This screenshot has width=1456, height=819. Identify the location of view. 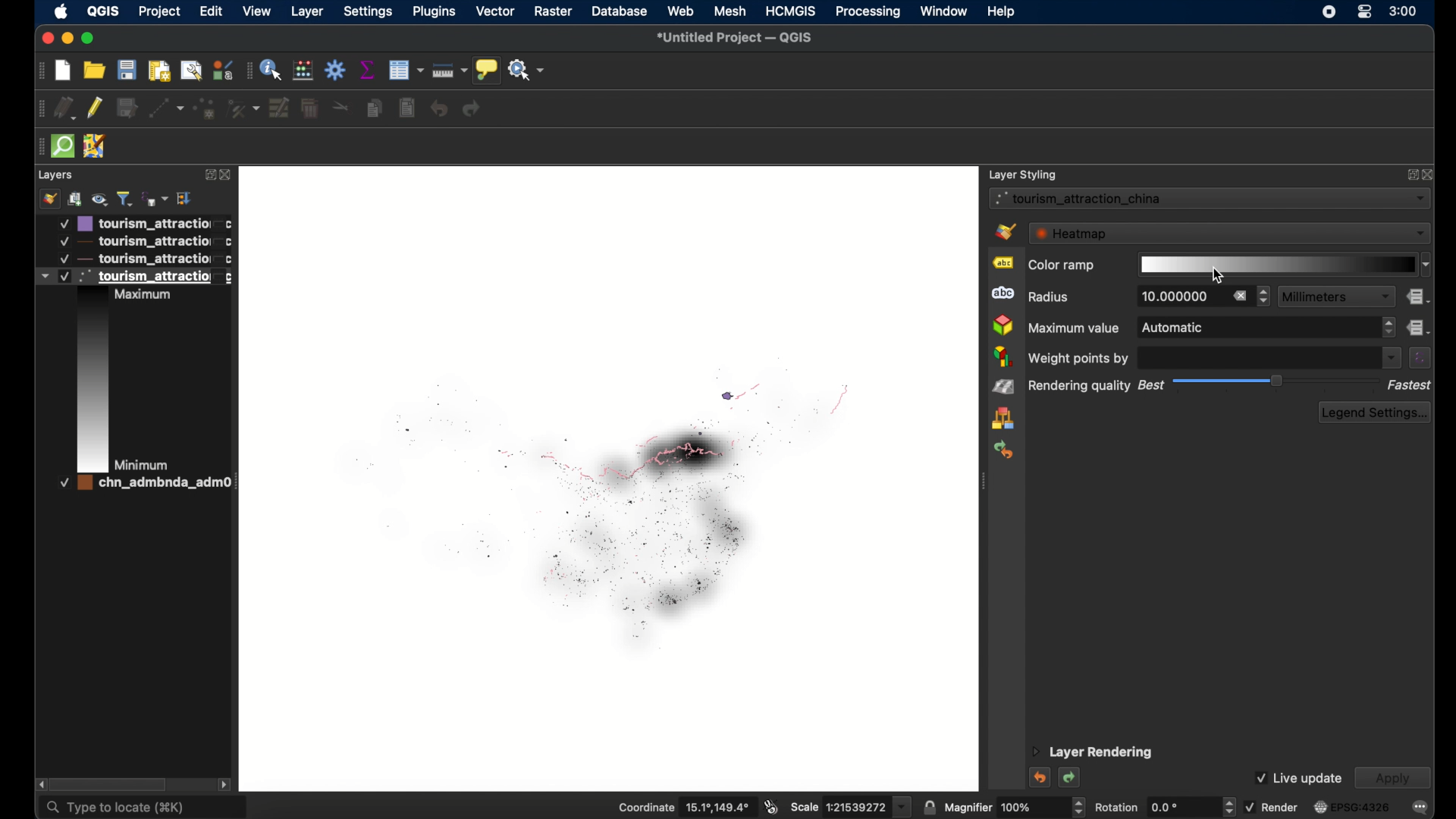
(259, 12).